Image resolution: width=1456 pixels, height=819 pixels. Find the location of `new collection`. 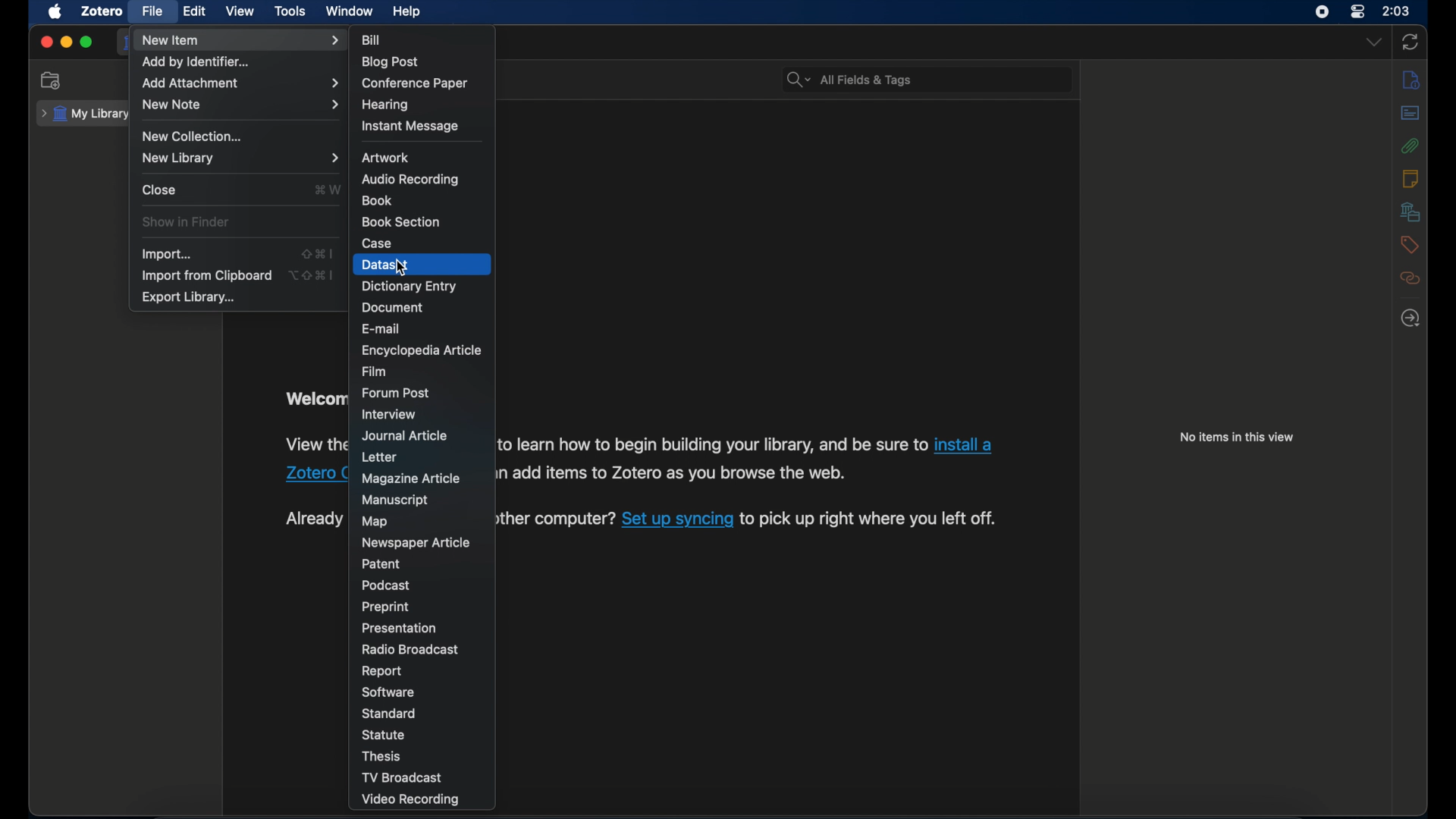

new collection is located at coordinates (52, 81).